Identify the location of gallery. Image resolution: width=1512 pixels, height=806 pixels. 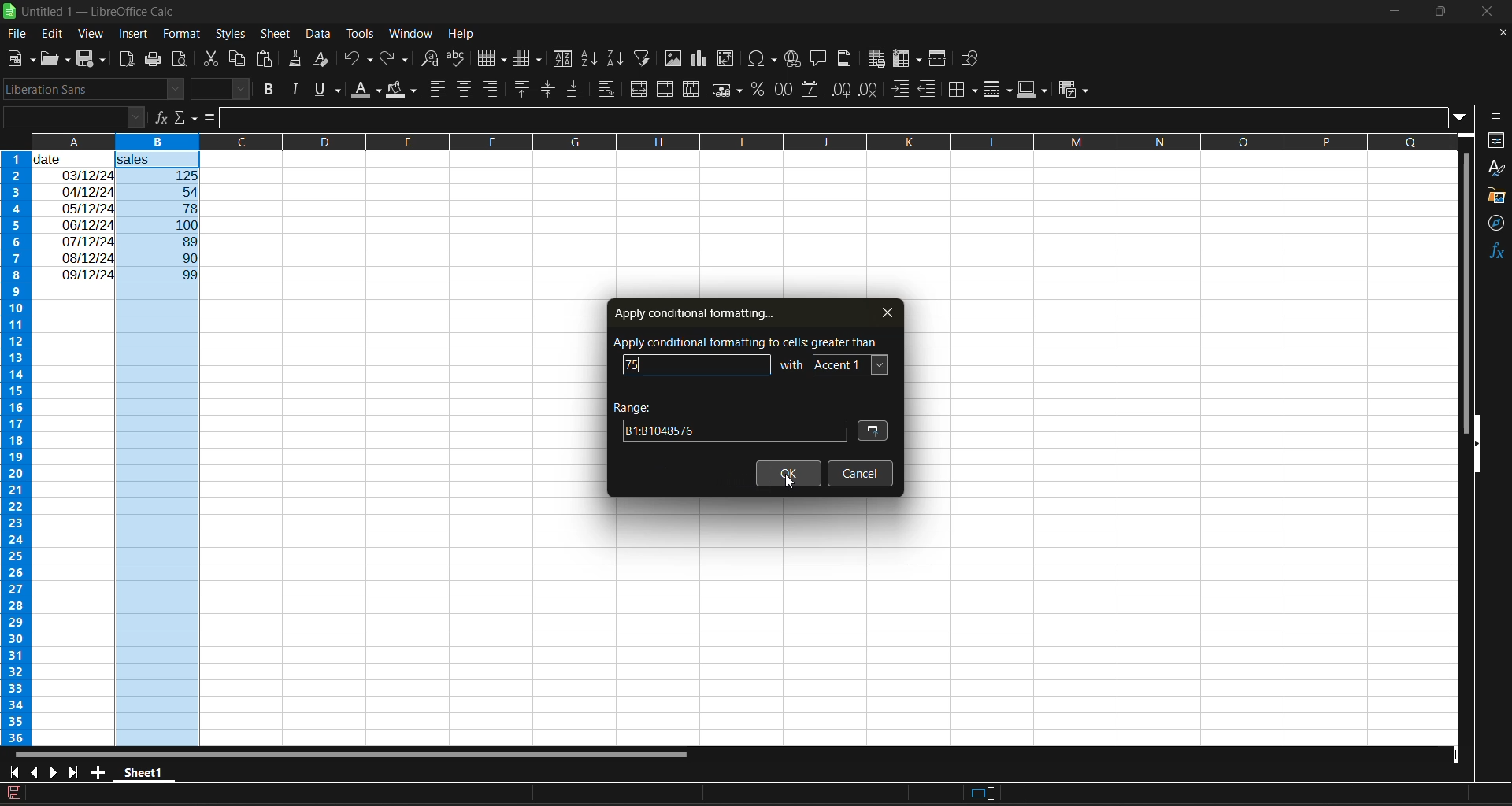
(1496, 196).